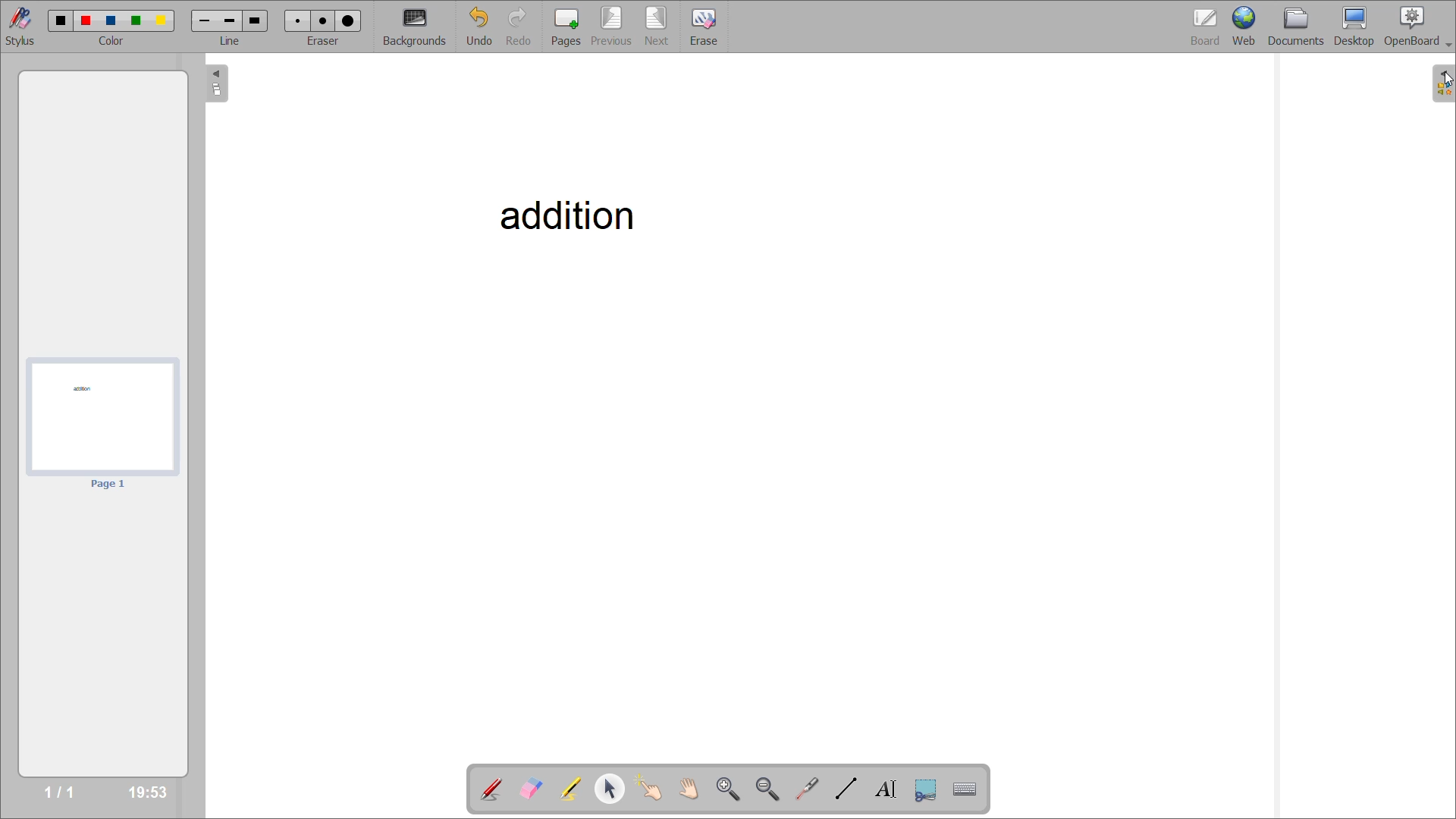 The height and width of the screenshot is (819, 1456). What do you see at coordinates (1207, 27) in the screenshot?
I see `board` at bounding box center [1207, 27].